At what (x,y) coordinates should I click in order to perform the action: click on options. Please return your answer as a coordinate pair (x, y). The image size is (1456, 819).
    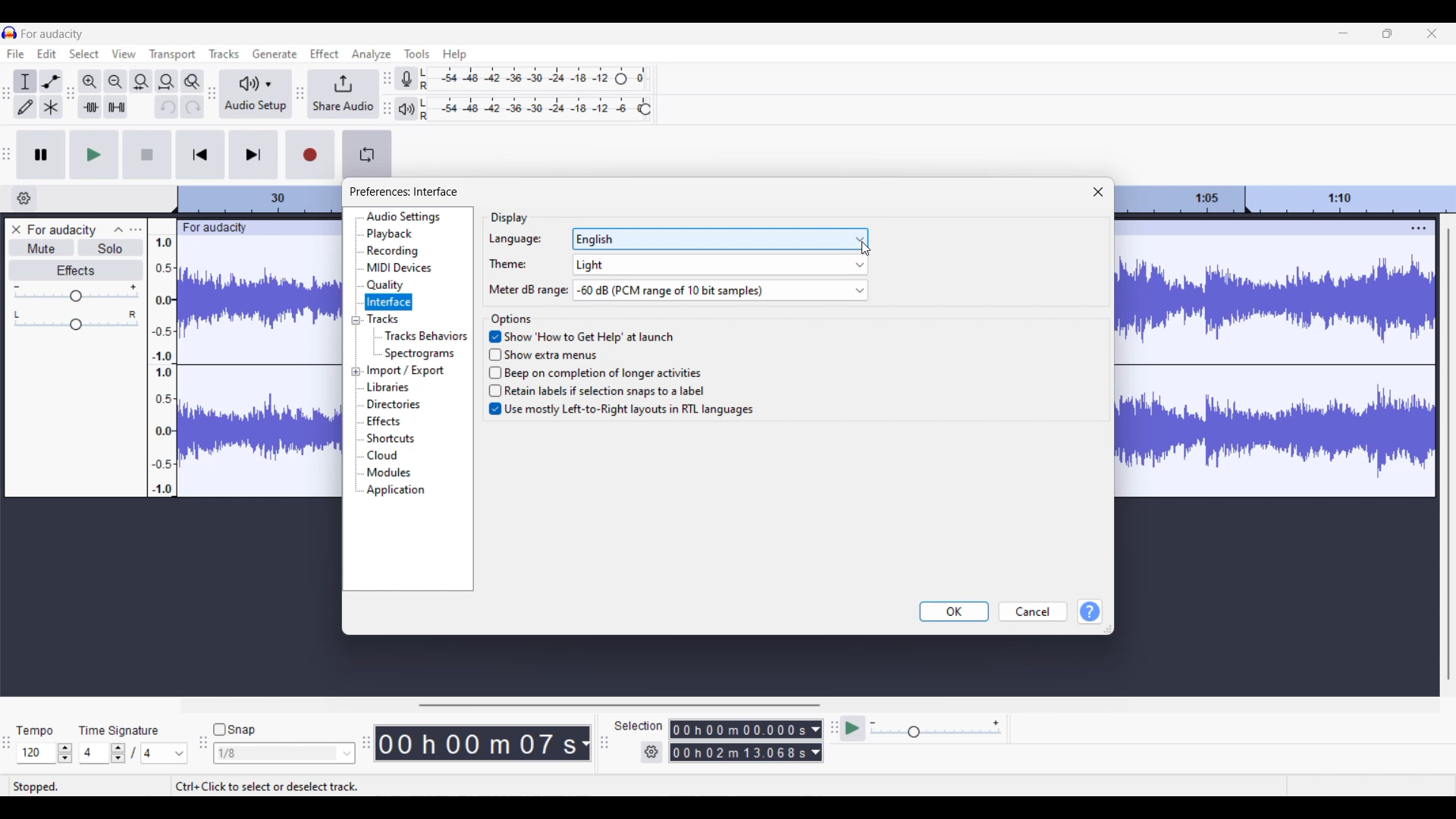
    Looking at the image, I should click on (511, 316).